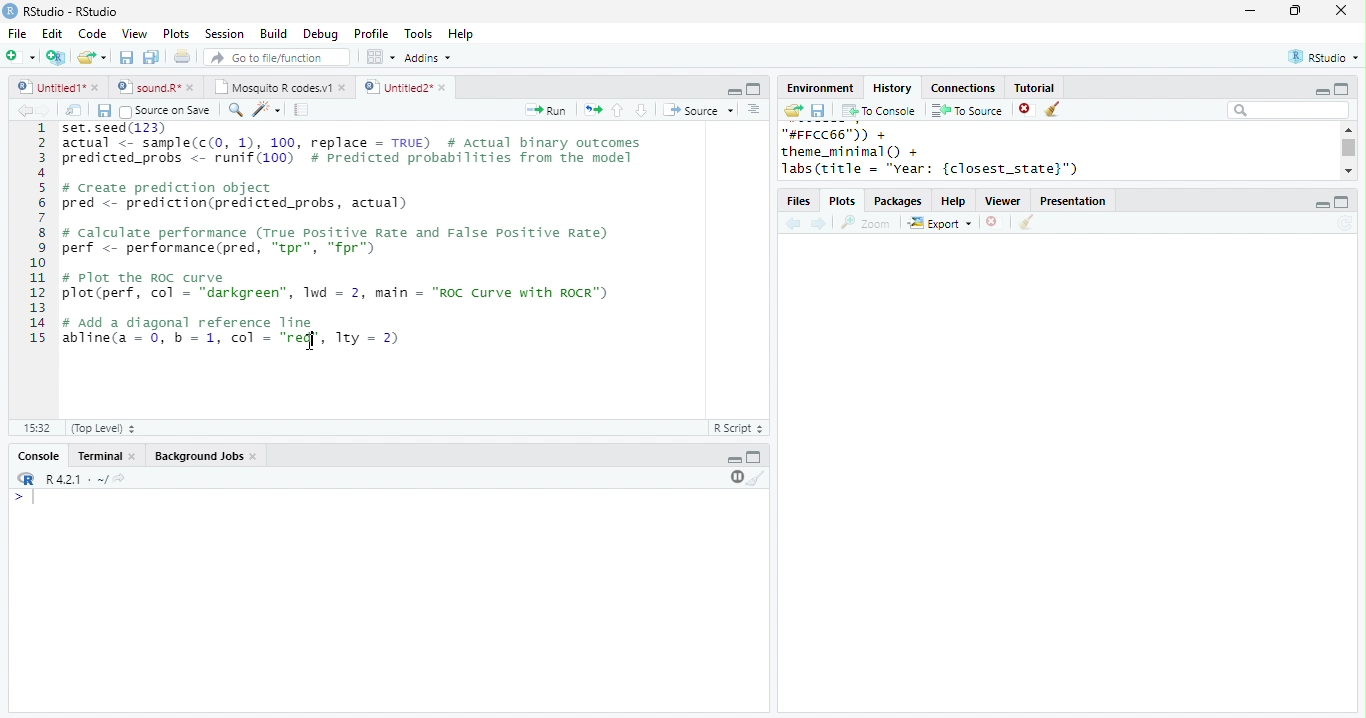 This screenshot has width=1366, height=718. I want to click on minimize, so click(734, 460).